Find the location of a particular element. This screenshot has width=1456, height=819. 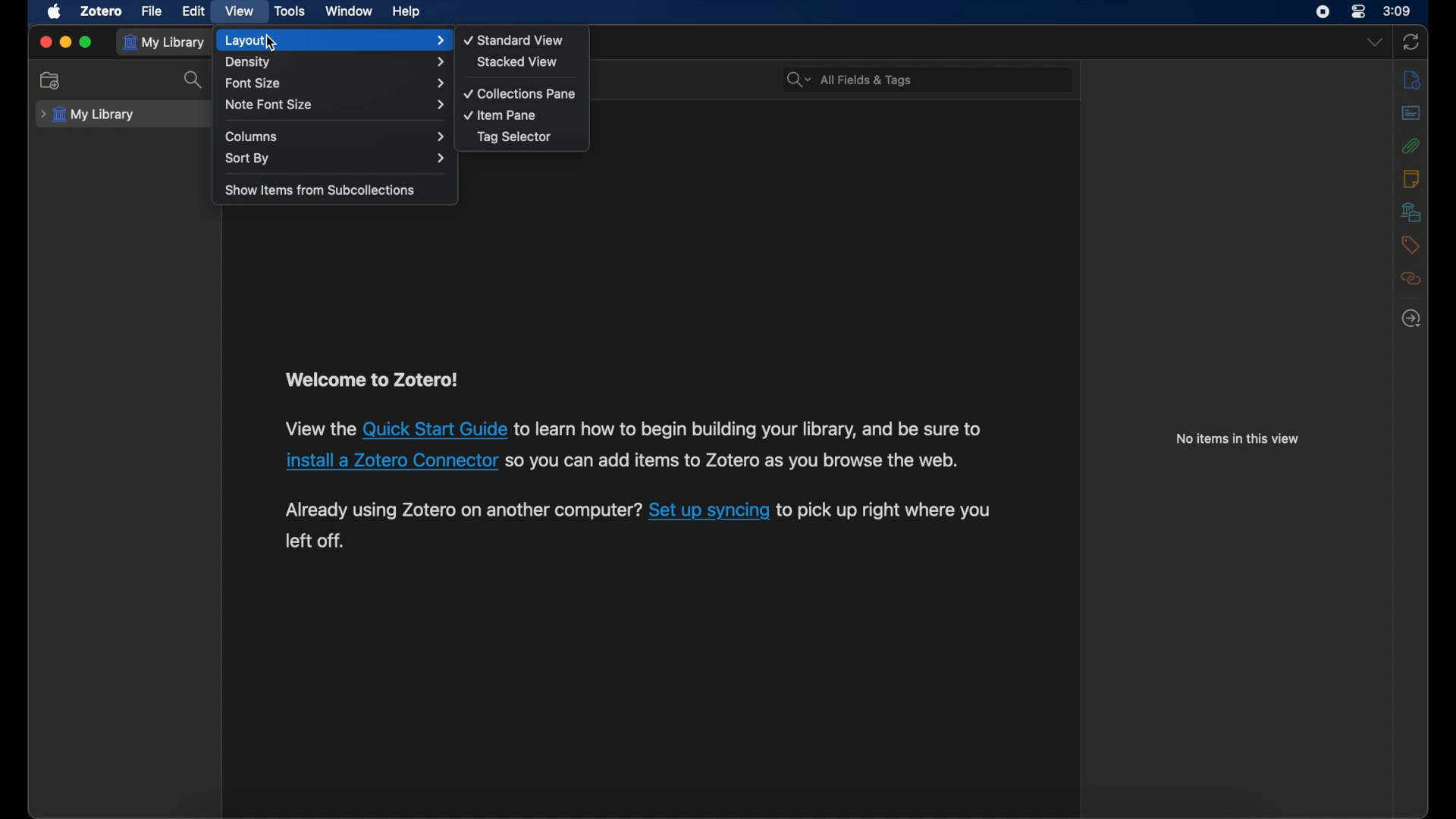

file is located at coordinates (151, 11).